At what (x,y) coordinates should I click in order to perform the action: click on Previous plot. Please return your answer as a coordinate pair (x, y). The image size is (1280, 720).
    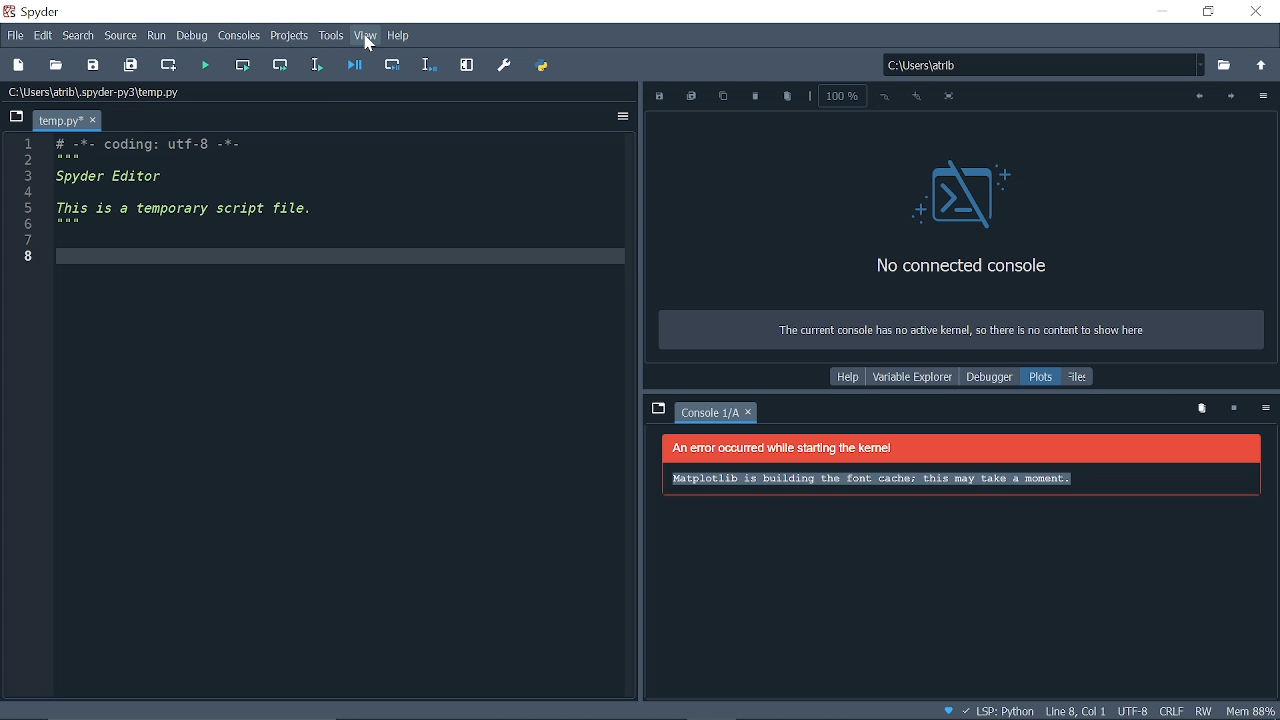
    Looking at the image, I should click on (1196, 97).